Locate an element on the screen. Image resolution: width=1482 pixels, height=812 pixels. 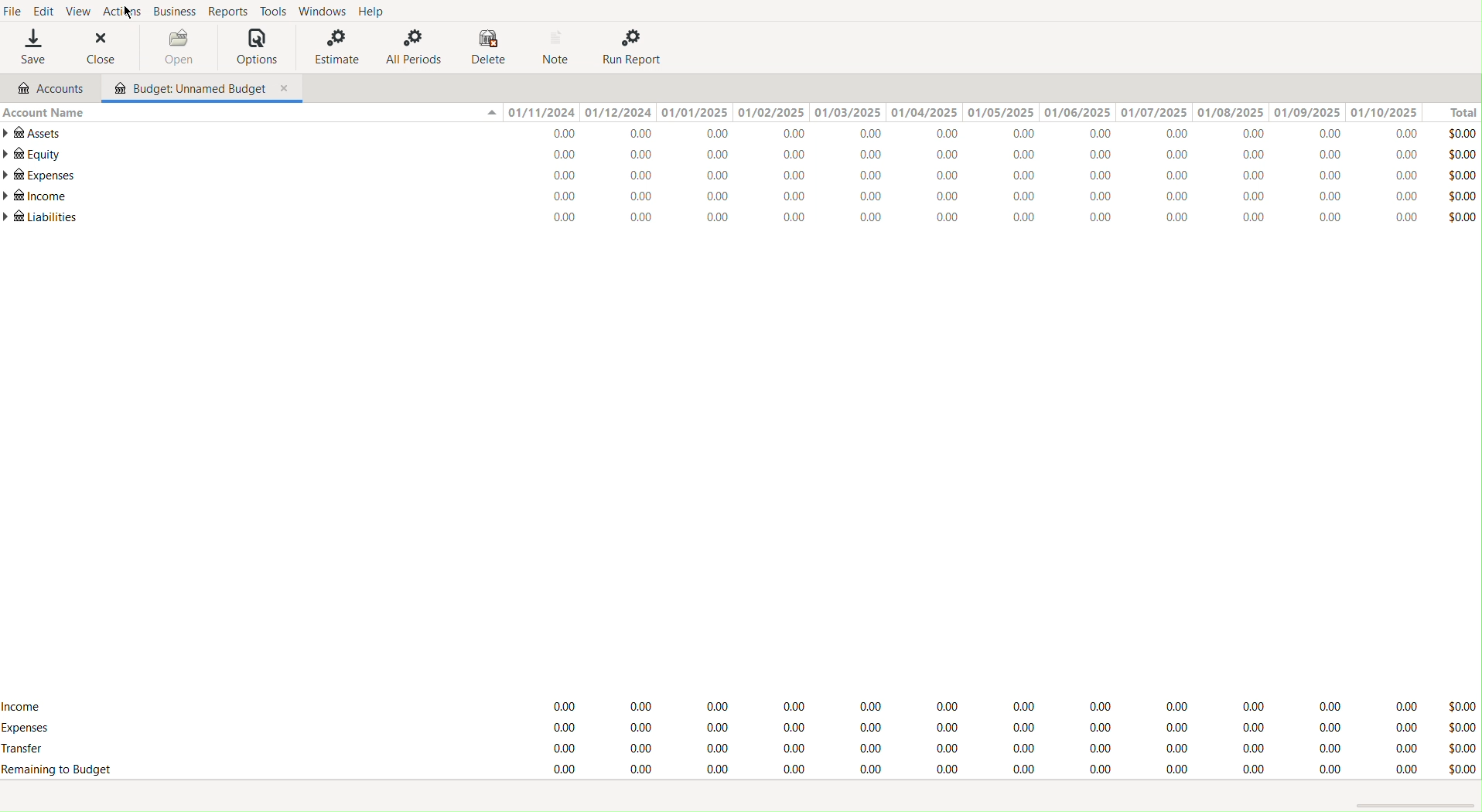
Transfers is located at coordinates (986, 746).